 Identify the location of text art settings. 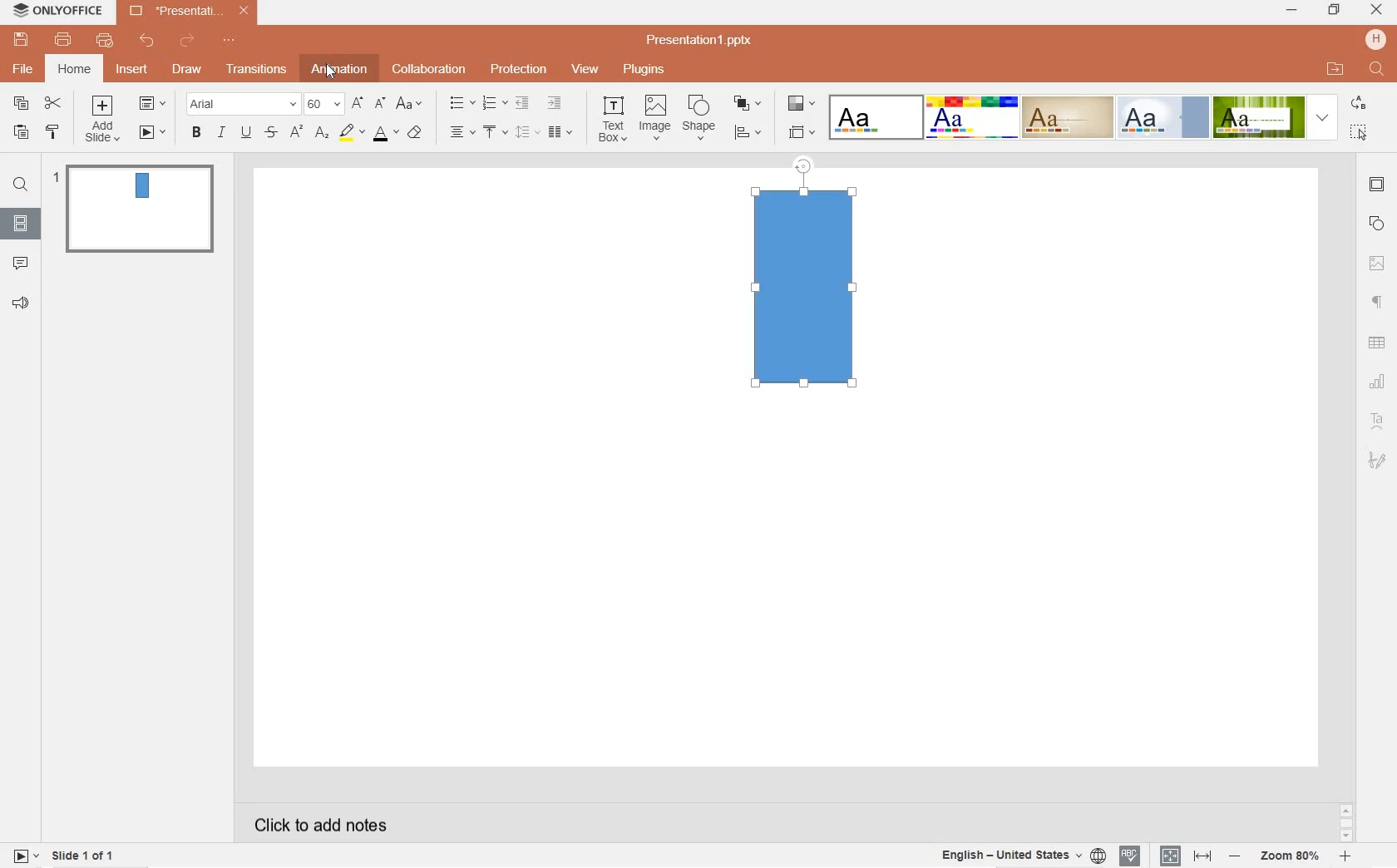
(1375, 419).